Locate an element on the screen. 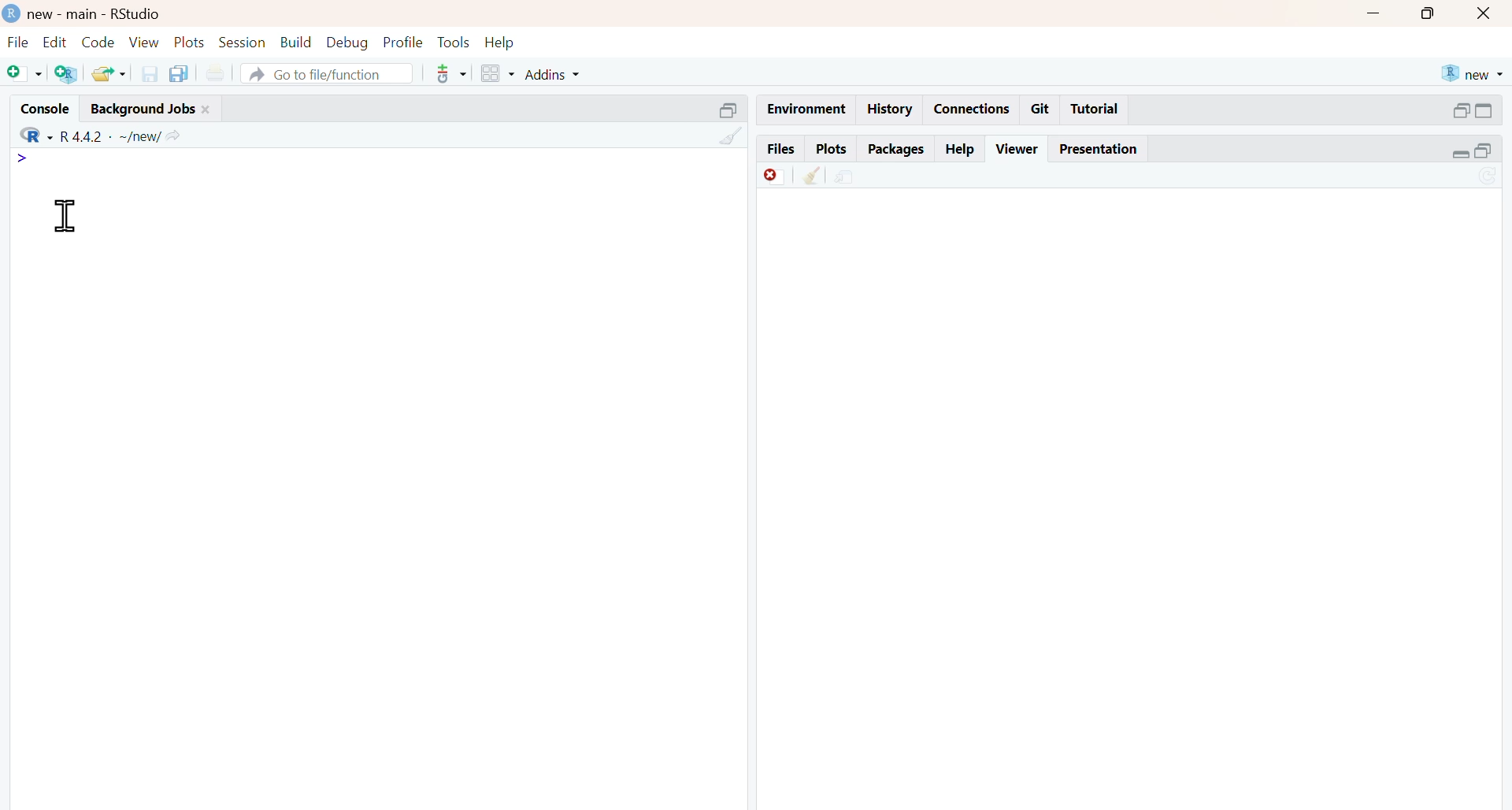 The image size is (1512, 810). Environment  is located at coordinates (807, 109).